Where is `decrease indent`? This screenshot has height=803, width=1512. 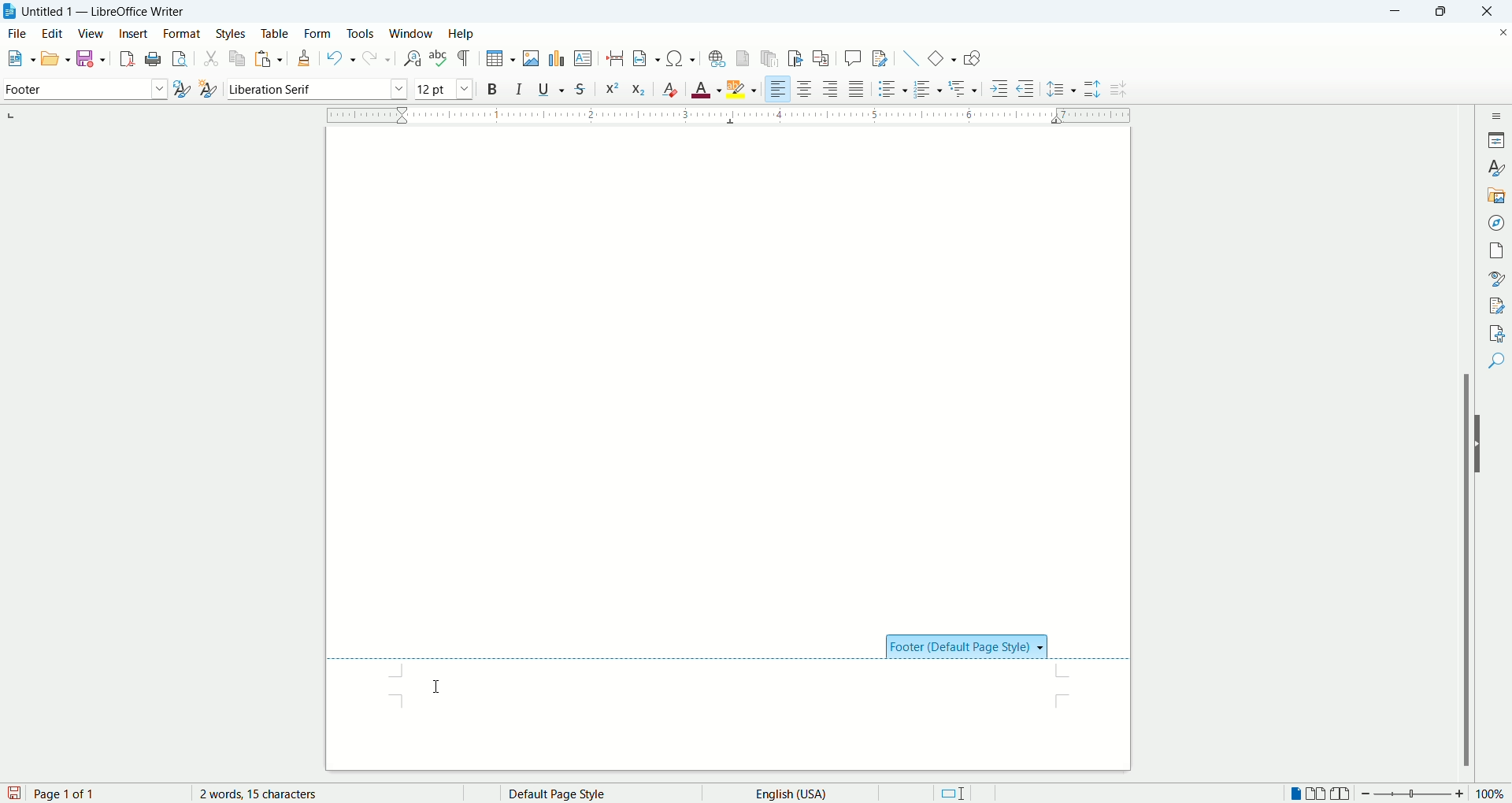
decrease indent is located at coordinates (1025, 88).